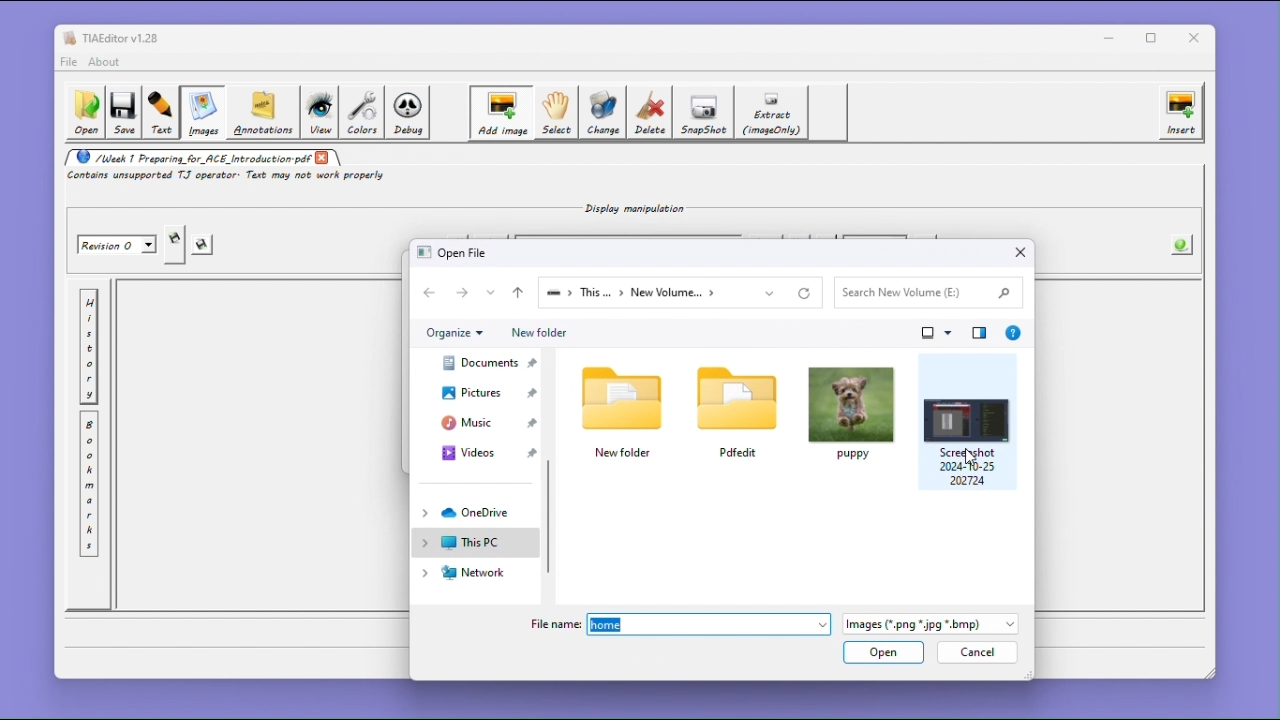 The image size is (1280, 720). I want to click on SnapShot, so click(706, 113).